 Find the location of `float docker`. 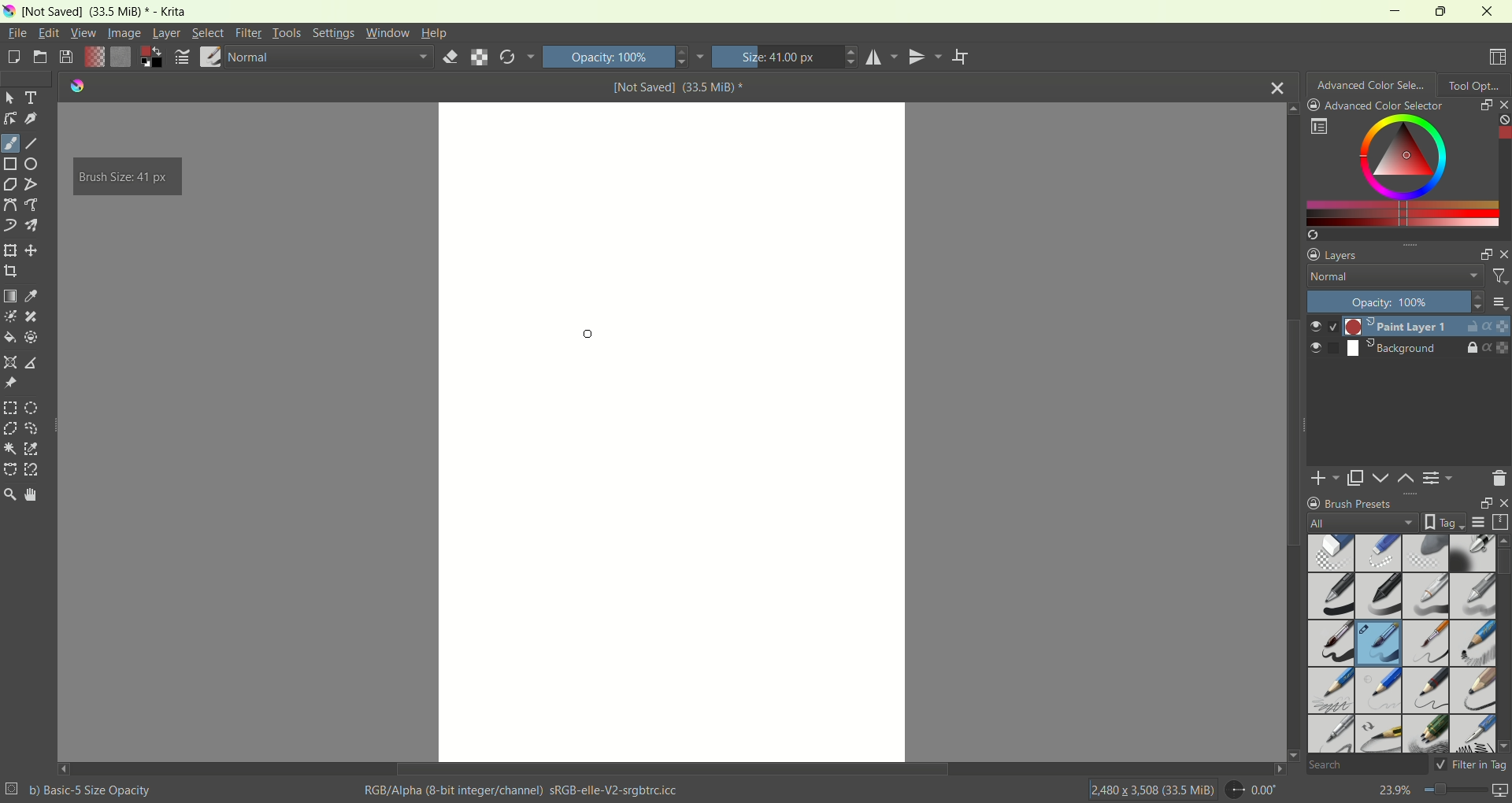

float docker is located at coordinates (1485, 104).